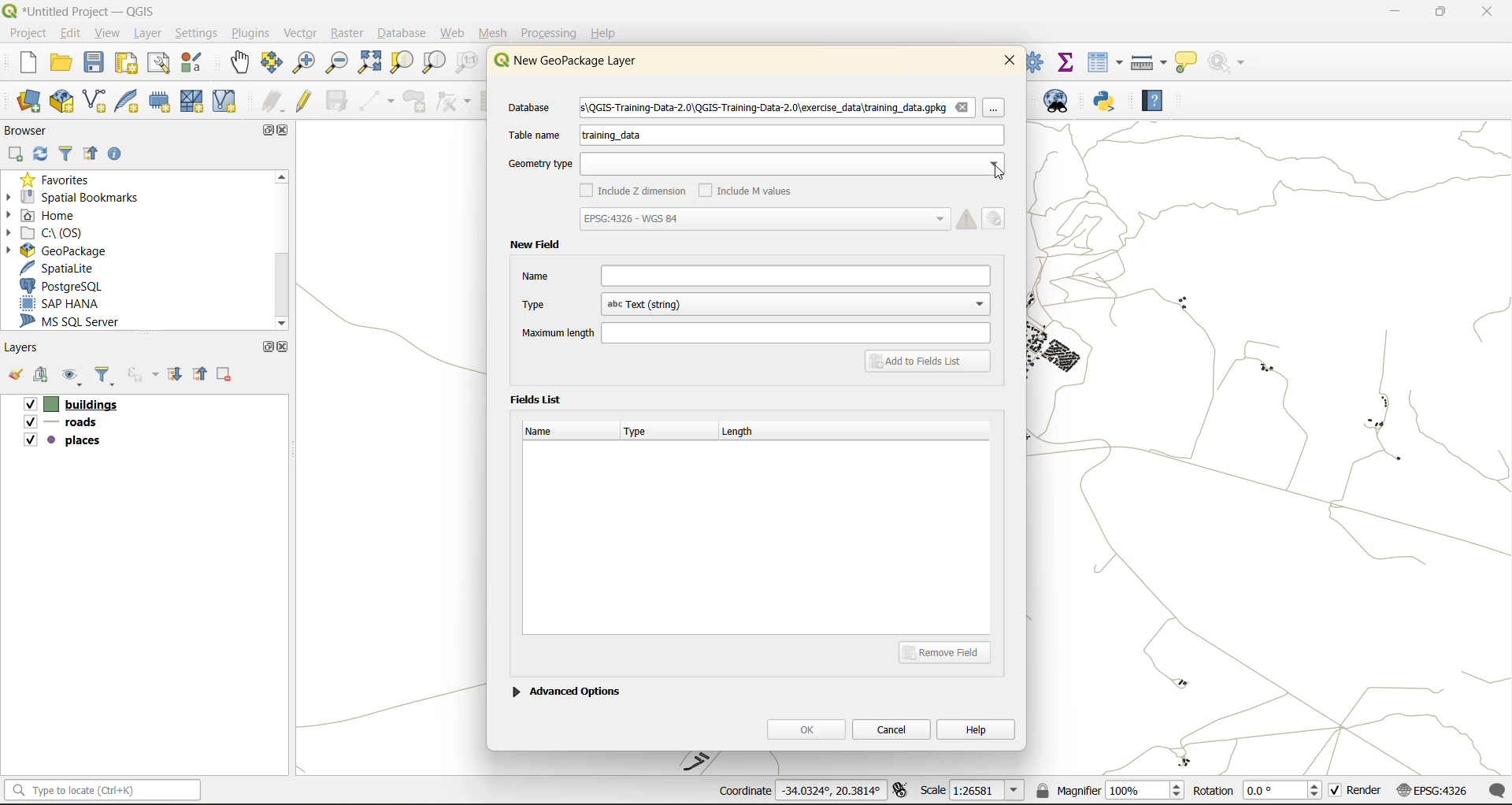  What do you see at coordinates (976, 729) in the screenshot?
I see `help` at bounding box center [976, 729].